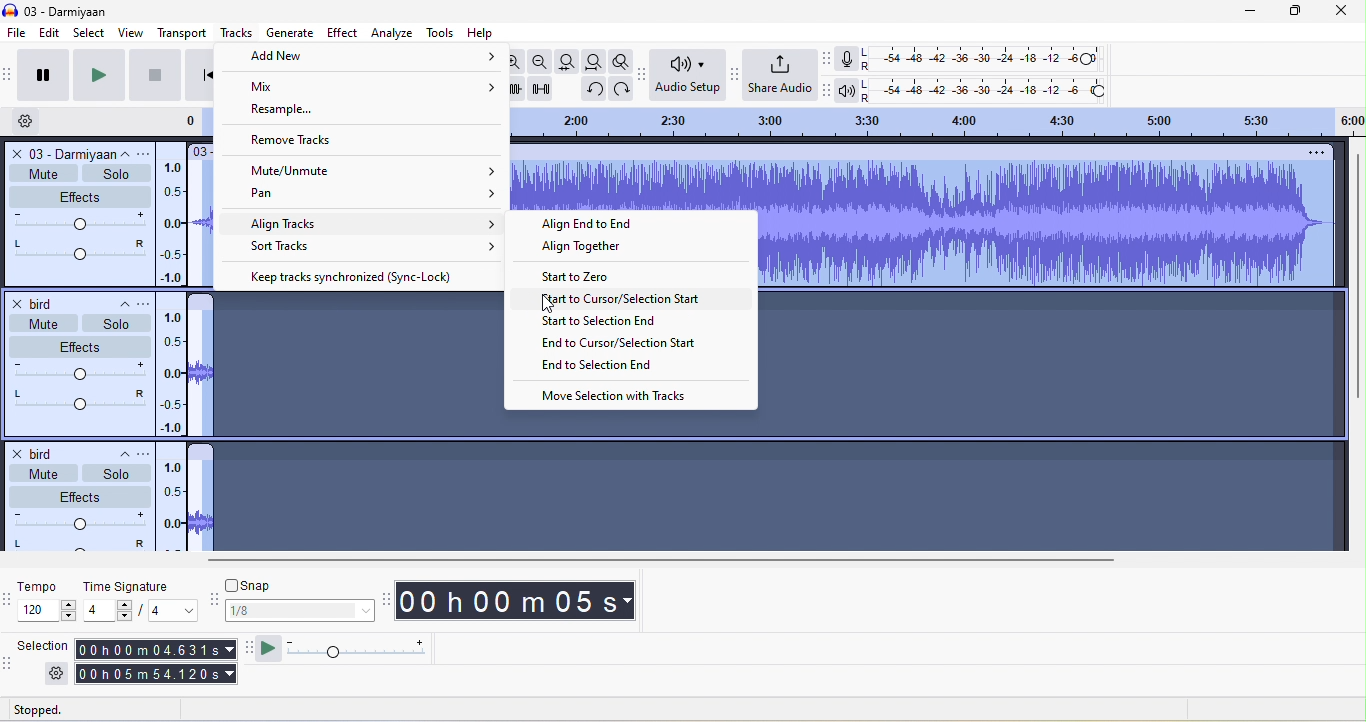  I want to click on tempo, so click(50, 612).